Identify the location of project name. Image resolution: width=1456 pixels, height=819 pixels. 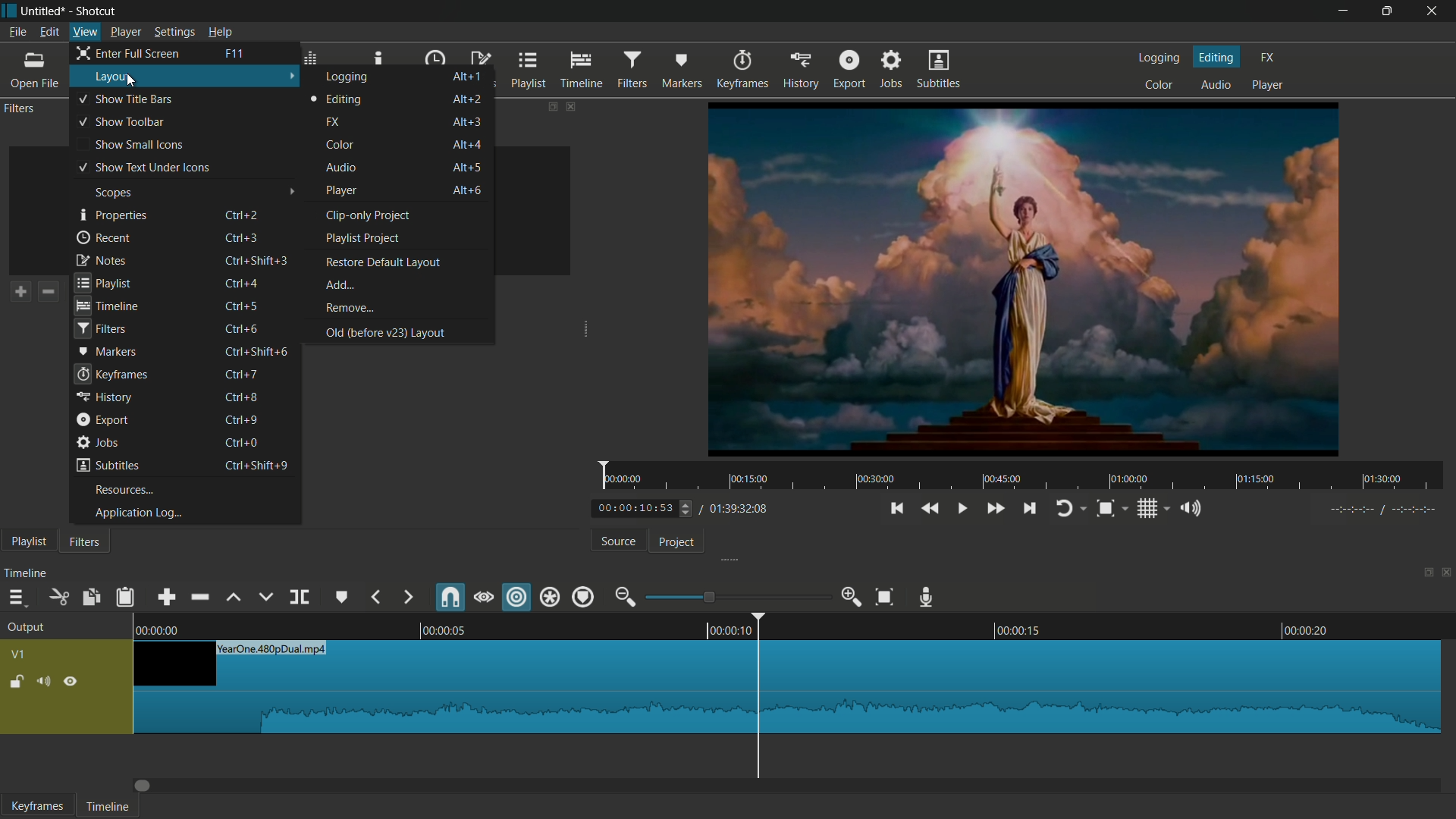
(45, 11).